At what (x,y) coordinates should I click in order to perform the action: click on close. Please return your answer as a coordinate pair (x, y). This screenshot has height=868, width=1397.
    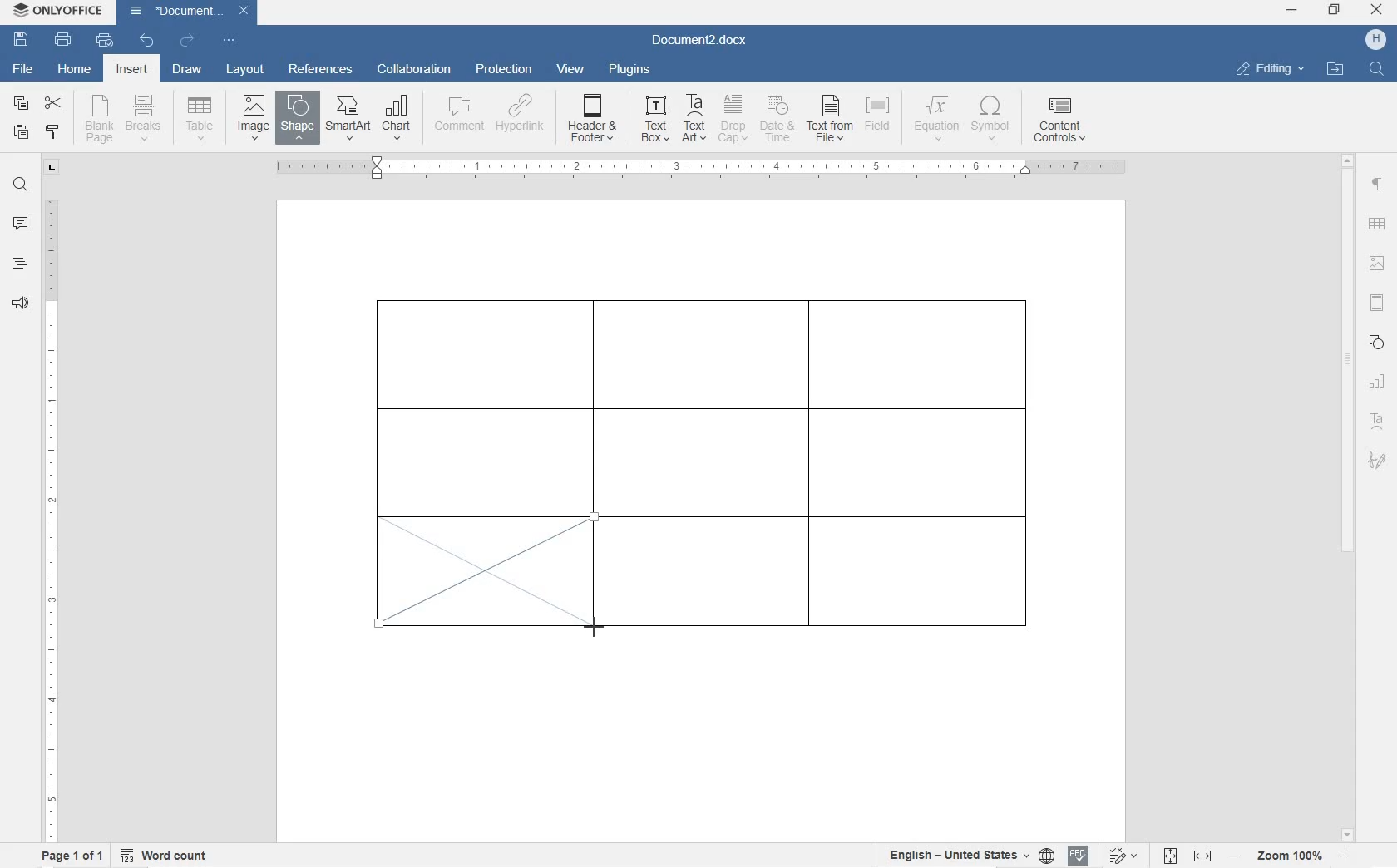
    Looking at the image, I should click on (1376, 11).